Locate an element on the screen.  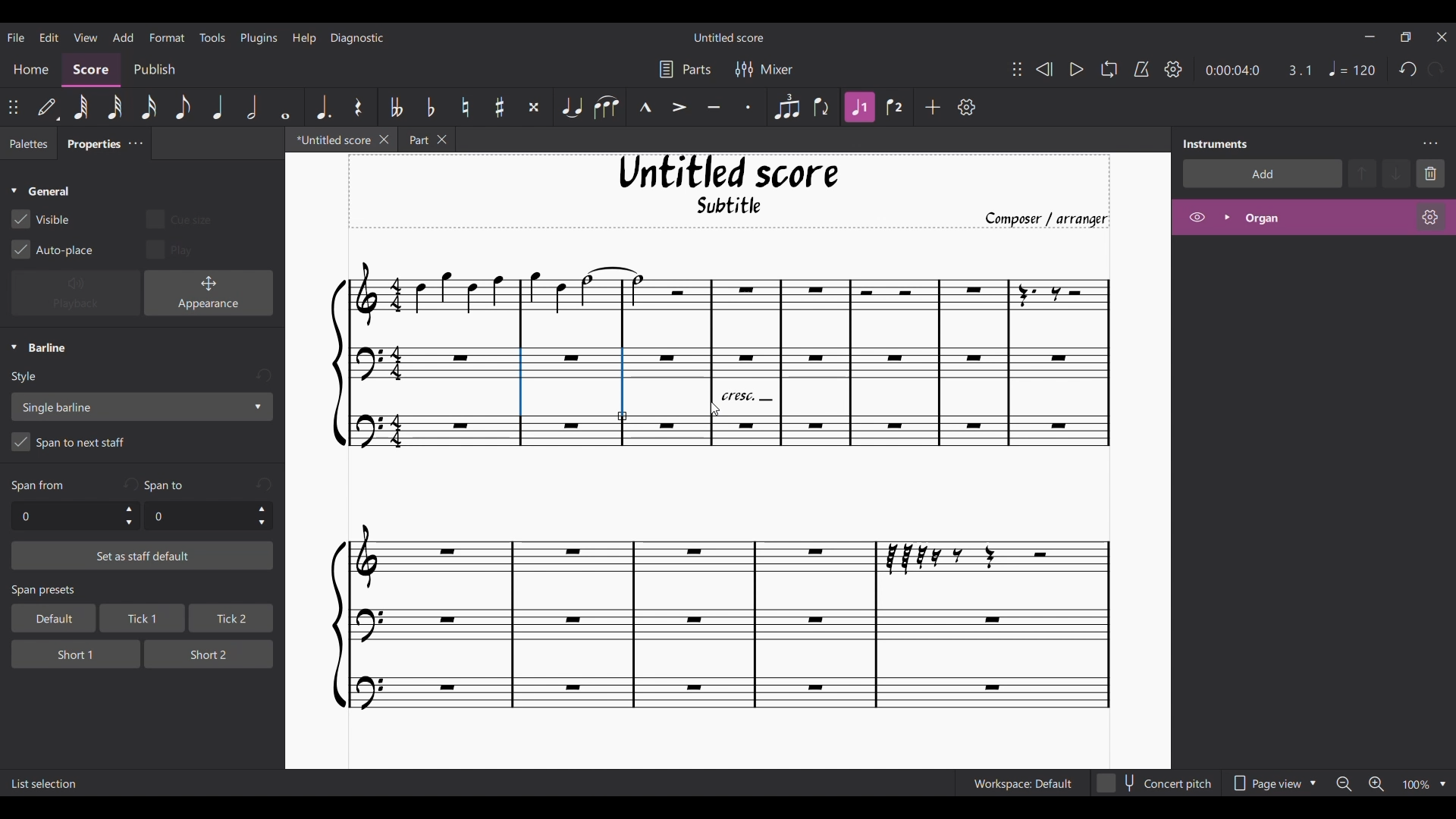
Tie is located at coordinates (571, 107).